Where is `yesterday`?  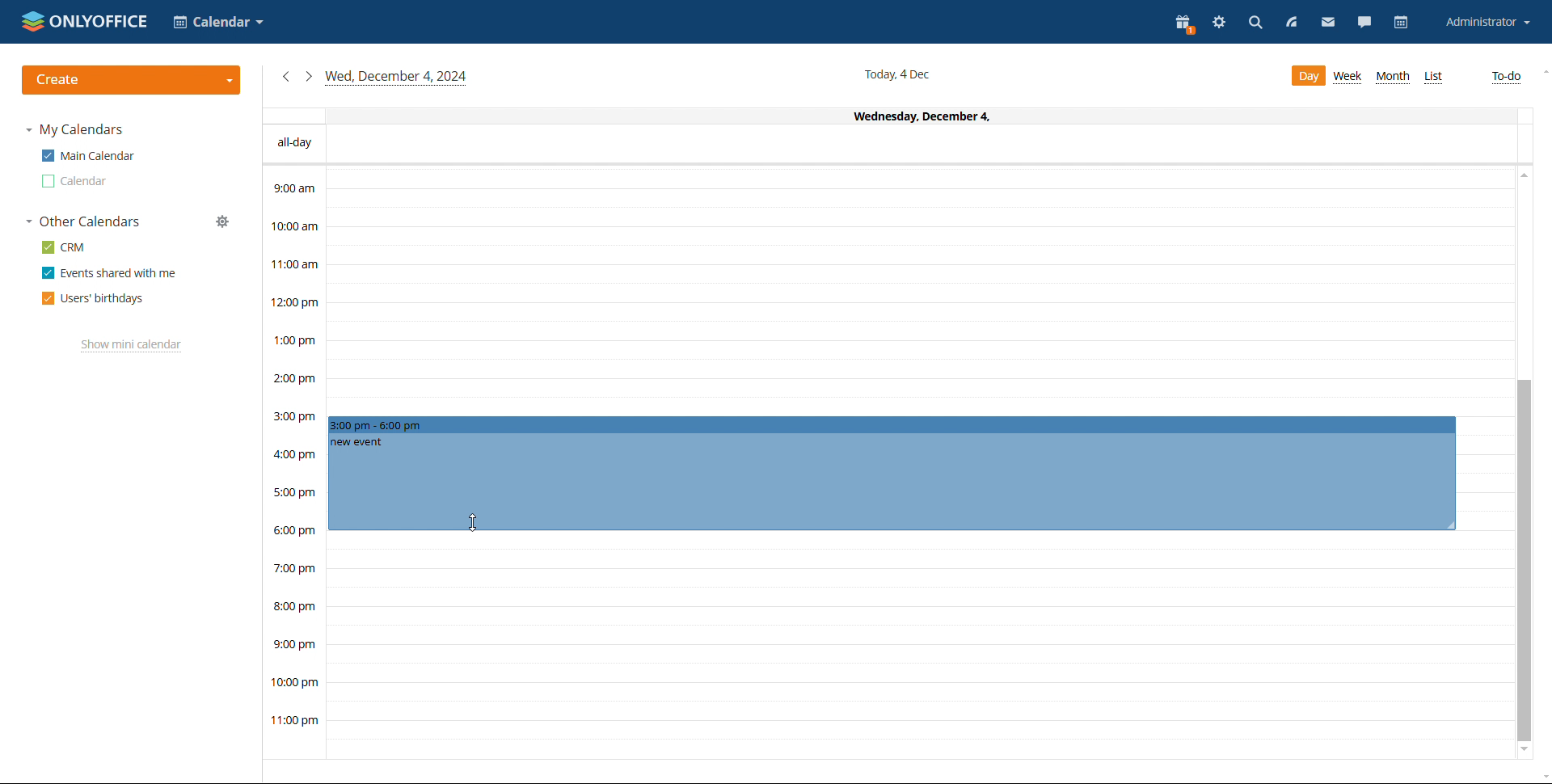
yesterday is located at coordinates (285, 77).